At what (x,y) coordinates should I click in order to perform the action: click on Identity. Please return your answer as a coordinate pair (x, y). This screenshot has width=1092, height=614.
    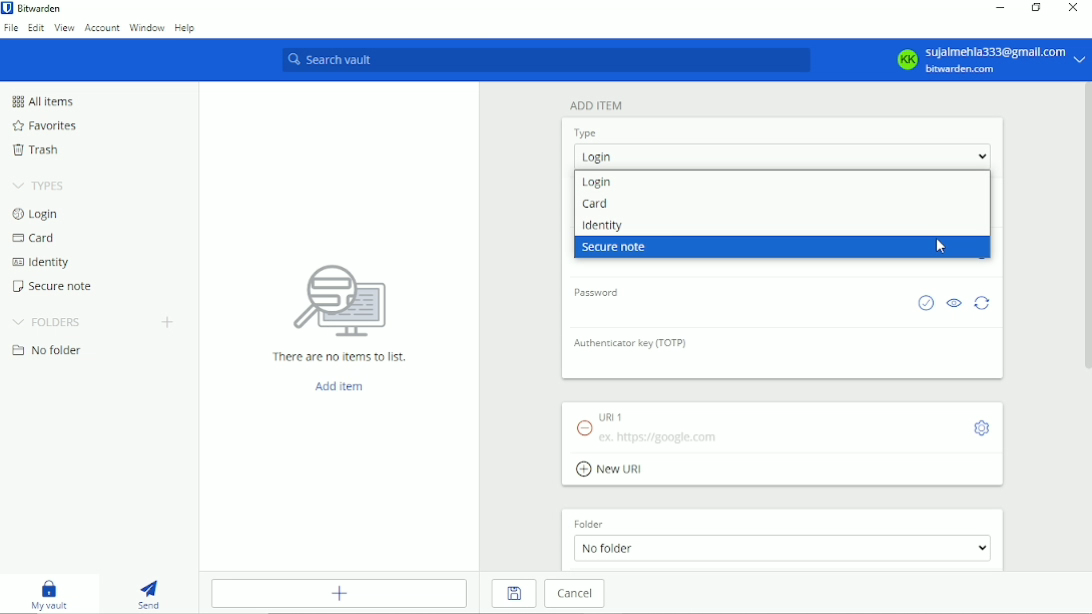
    Looking at the image, I should click on (40, 263).